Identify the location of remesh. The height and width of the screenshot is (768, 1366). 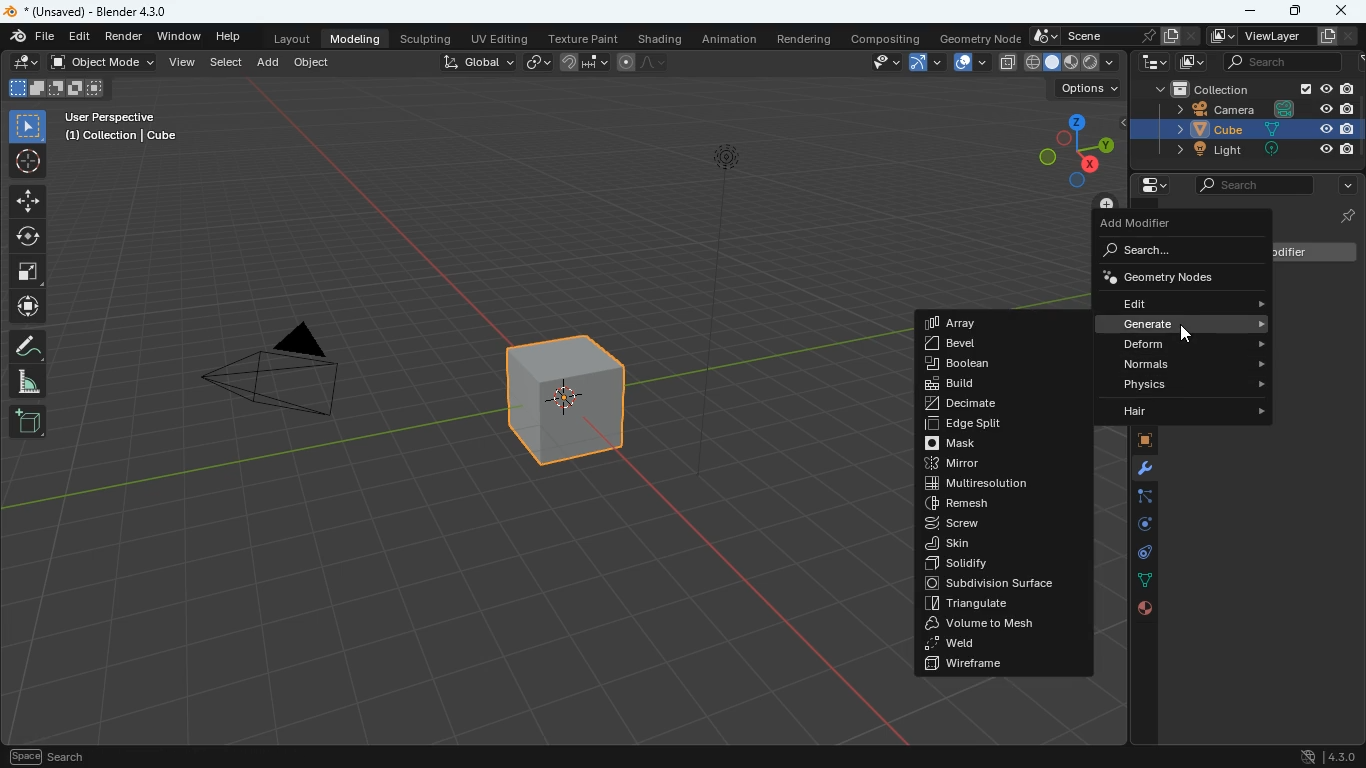
(995, 502).